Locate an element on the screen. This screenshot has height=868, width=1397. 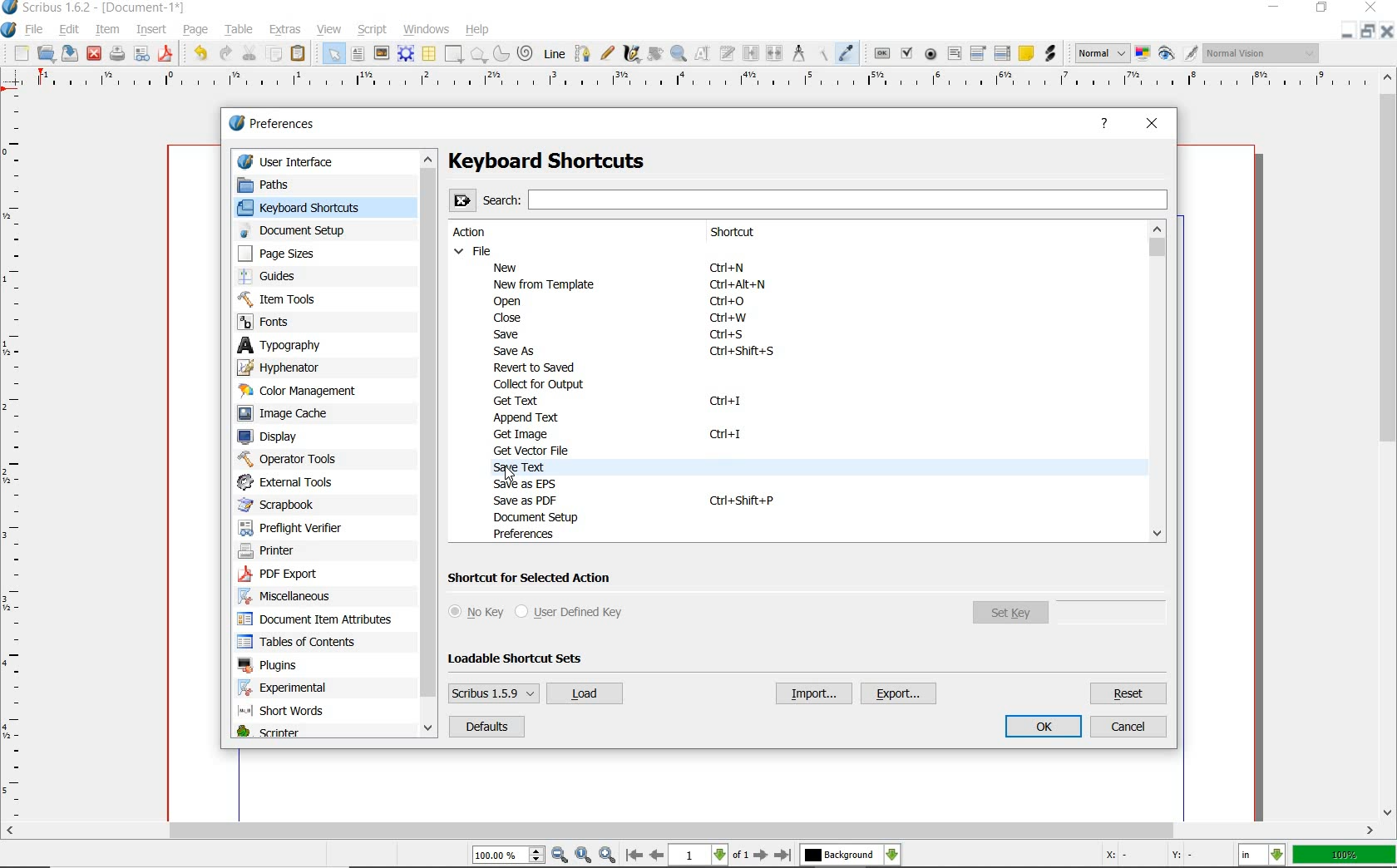
Ctrl + 1 is located at coordinates (727, 435).